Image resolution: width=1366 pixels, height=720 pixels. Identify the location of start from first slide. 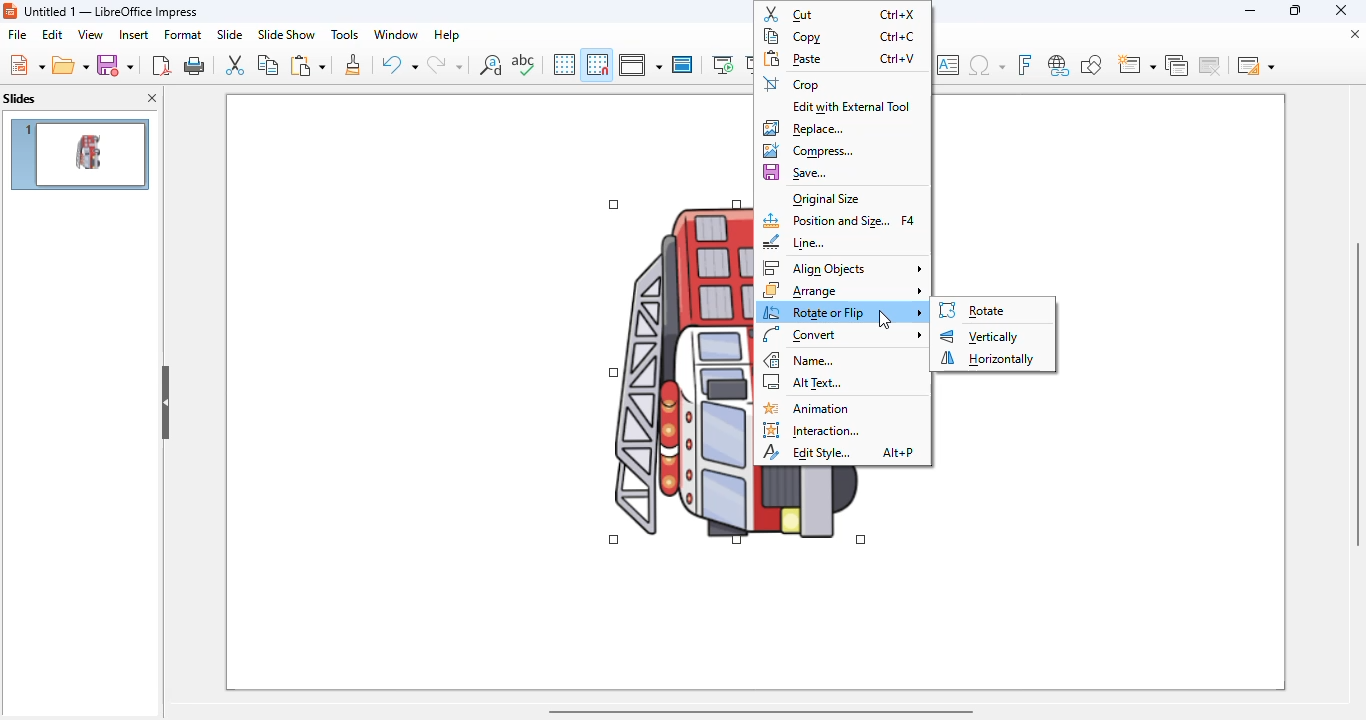
(724, 65).